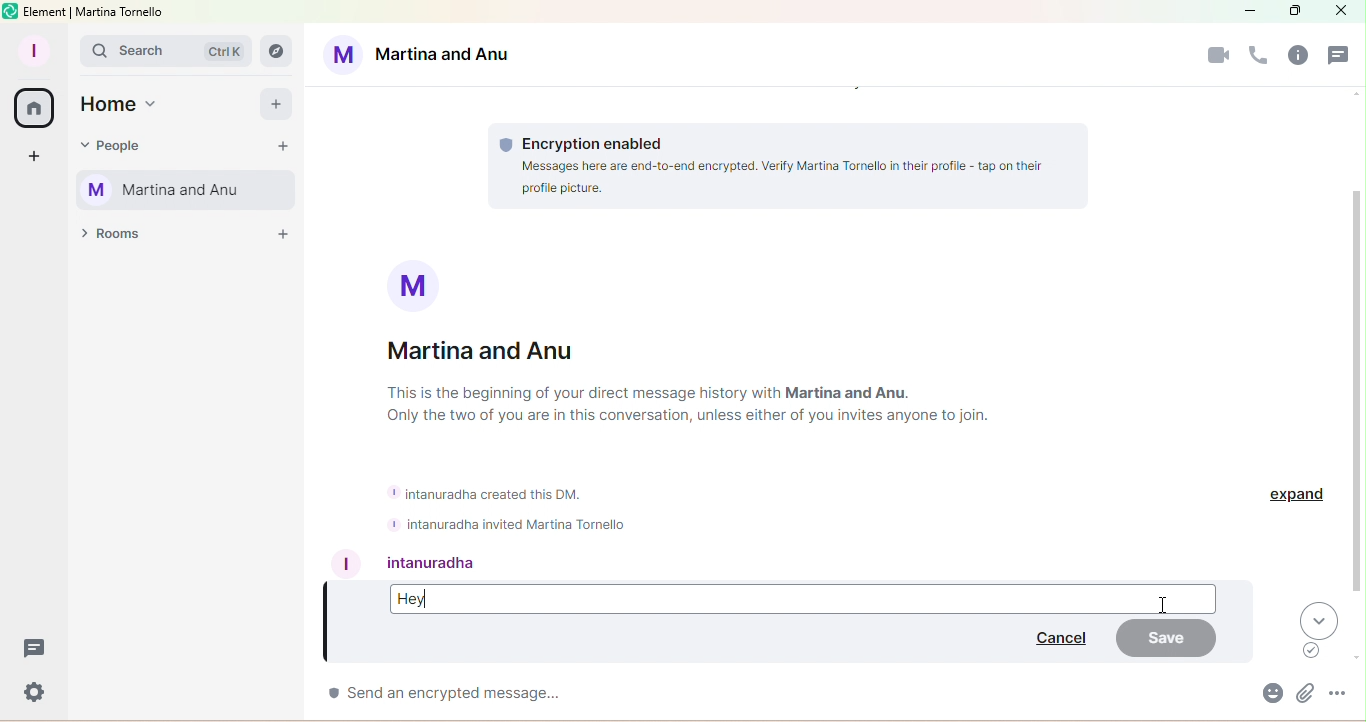 This screenshot has height=722, width=1366. I want to click on Start chat, so click(282, 147).